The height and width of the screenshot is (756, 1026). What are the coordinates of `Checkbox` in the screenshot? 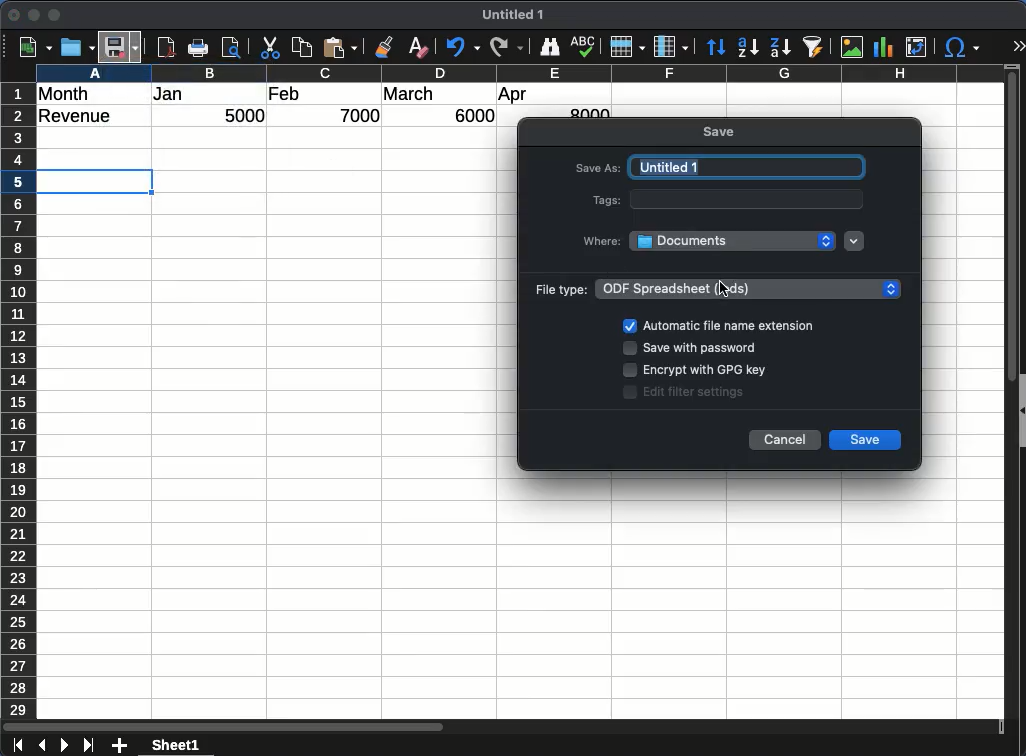 It's located at (629, 349).